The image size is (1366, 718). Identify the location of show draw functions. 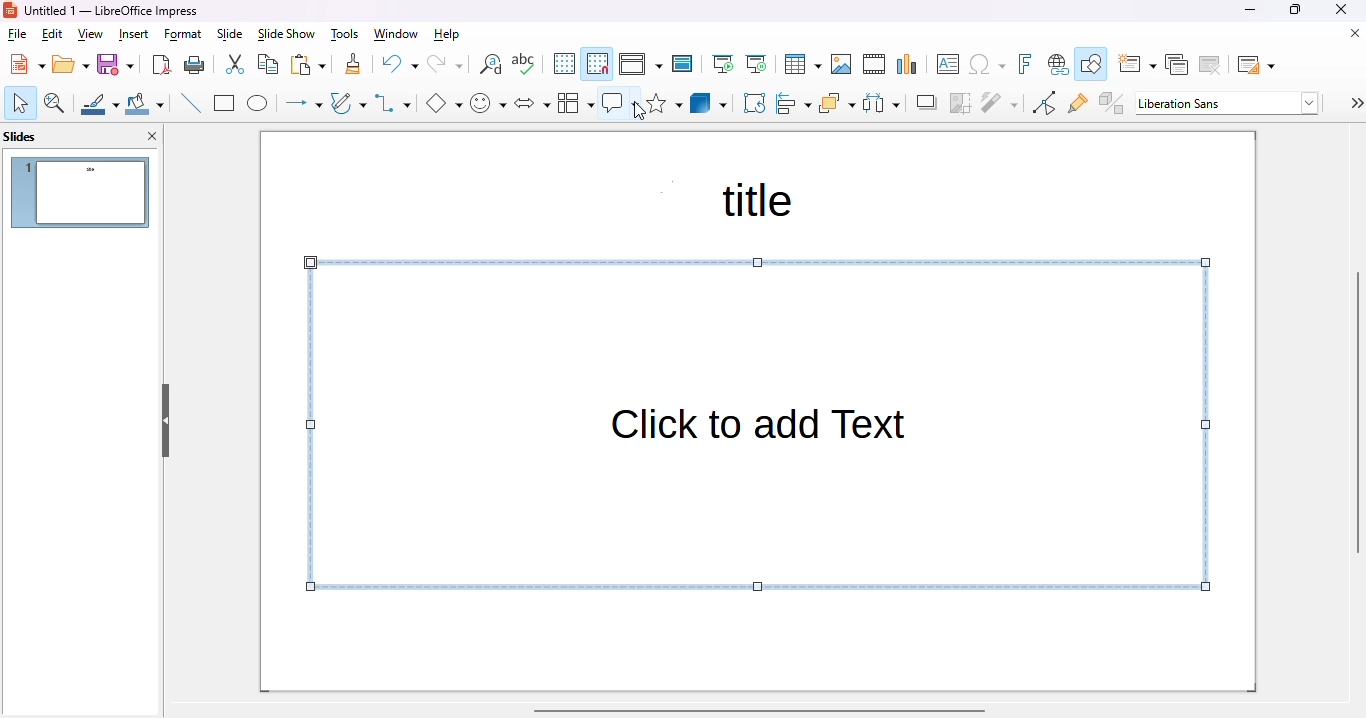
(1091, 63).